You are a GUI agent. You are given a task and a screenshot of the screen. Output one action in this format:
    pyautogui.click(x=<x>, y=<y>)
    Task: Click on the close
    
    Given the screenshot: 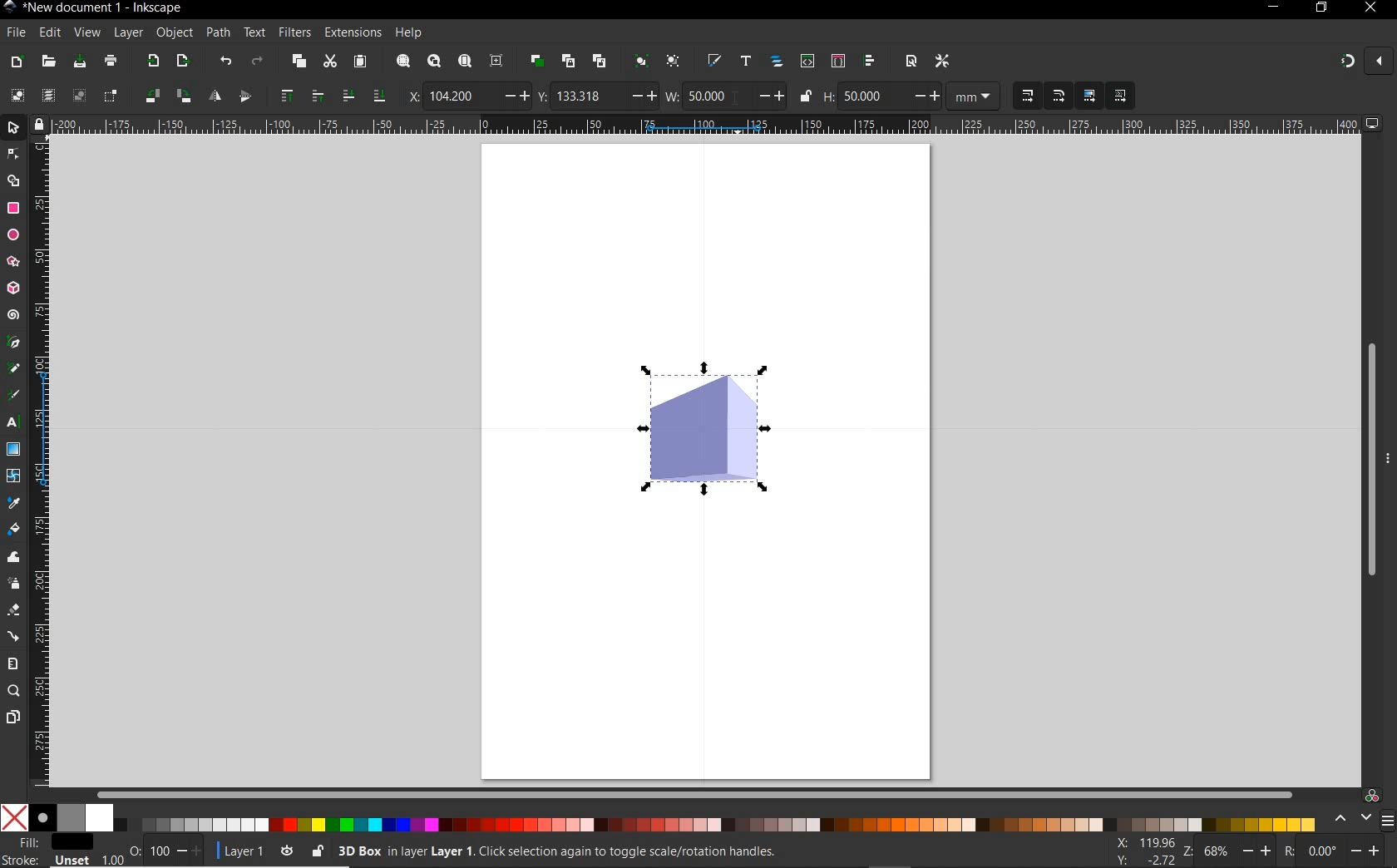 What is the action you would take?
    pyautogui.click(x=1378, y=60)
    